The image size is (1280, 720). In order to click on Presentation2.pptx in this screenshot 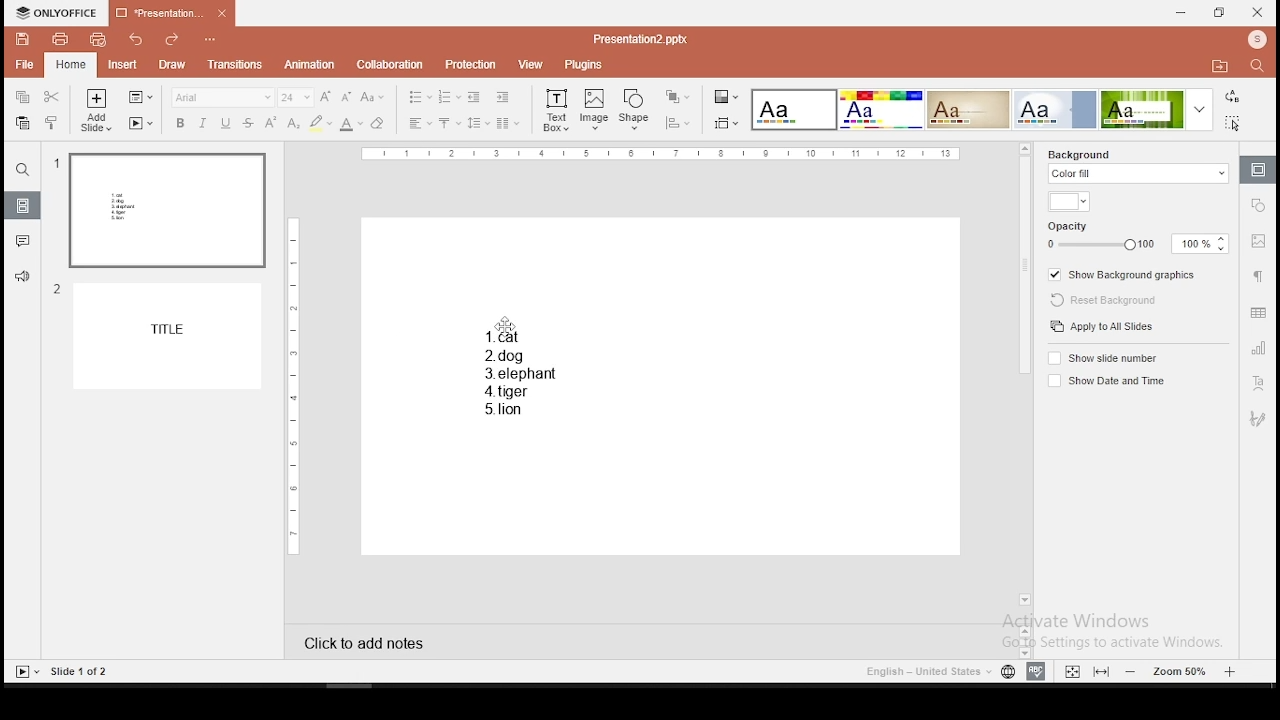, I will do `click(647, 39)`.